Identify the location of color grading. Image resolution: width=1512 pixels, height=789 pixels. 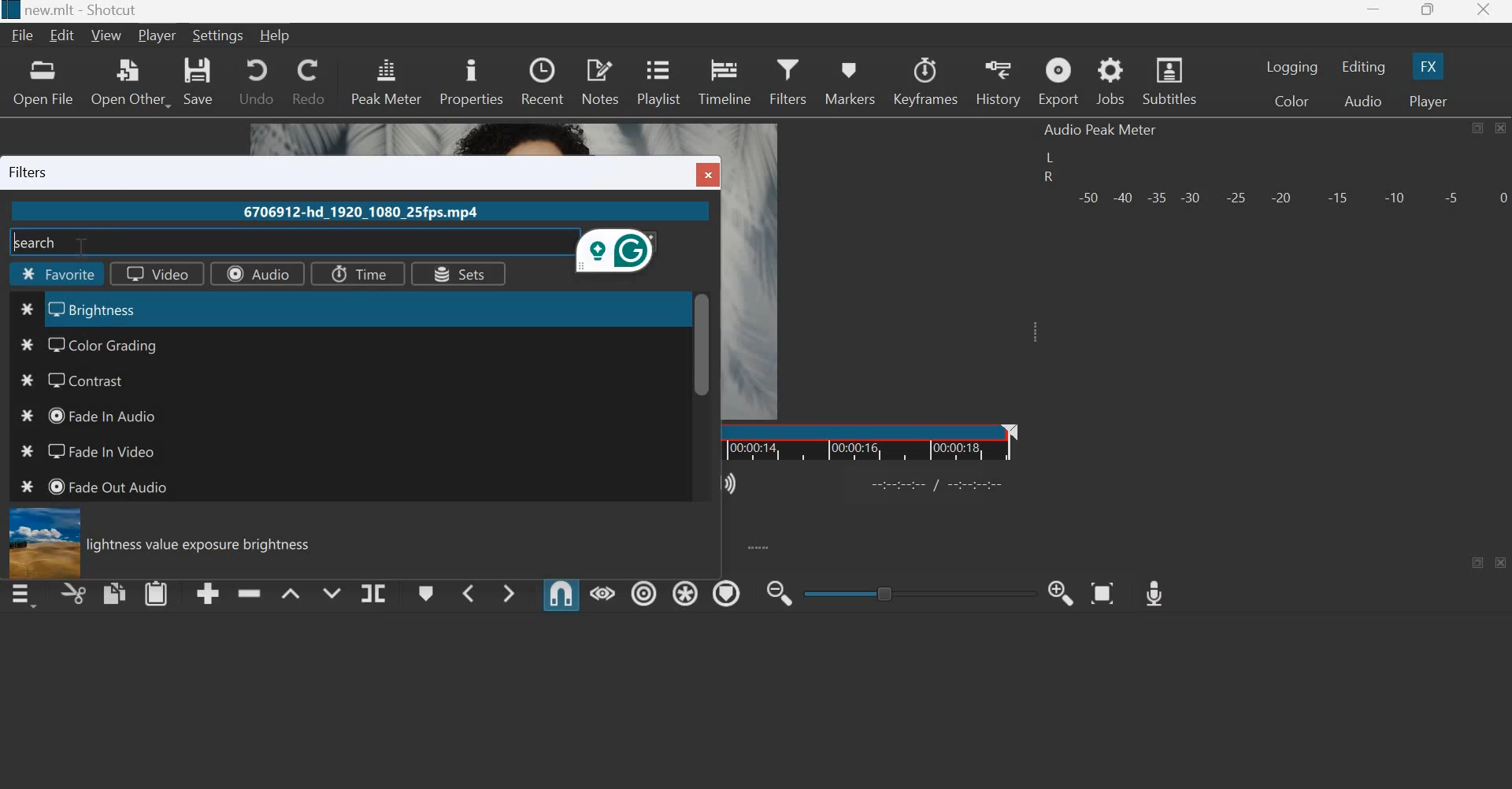
(118, 343).